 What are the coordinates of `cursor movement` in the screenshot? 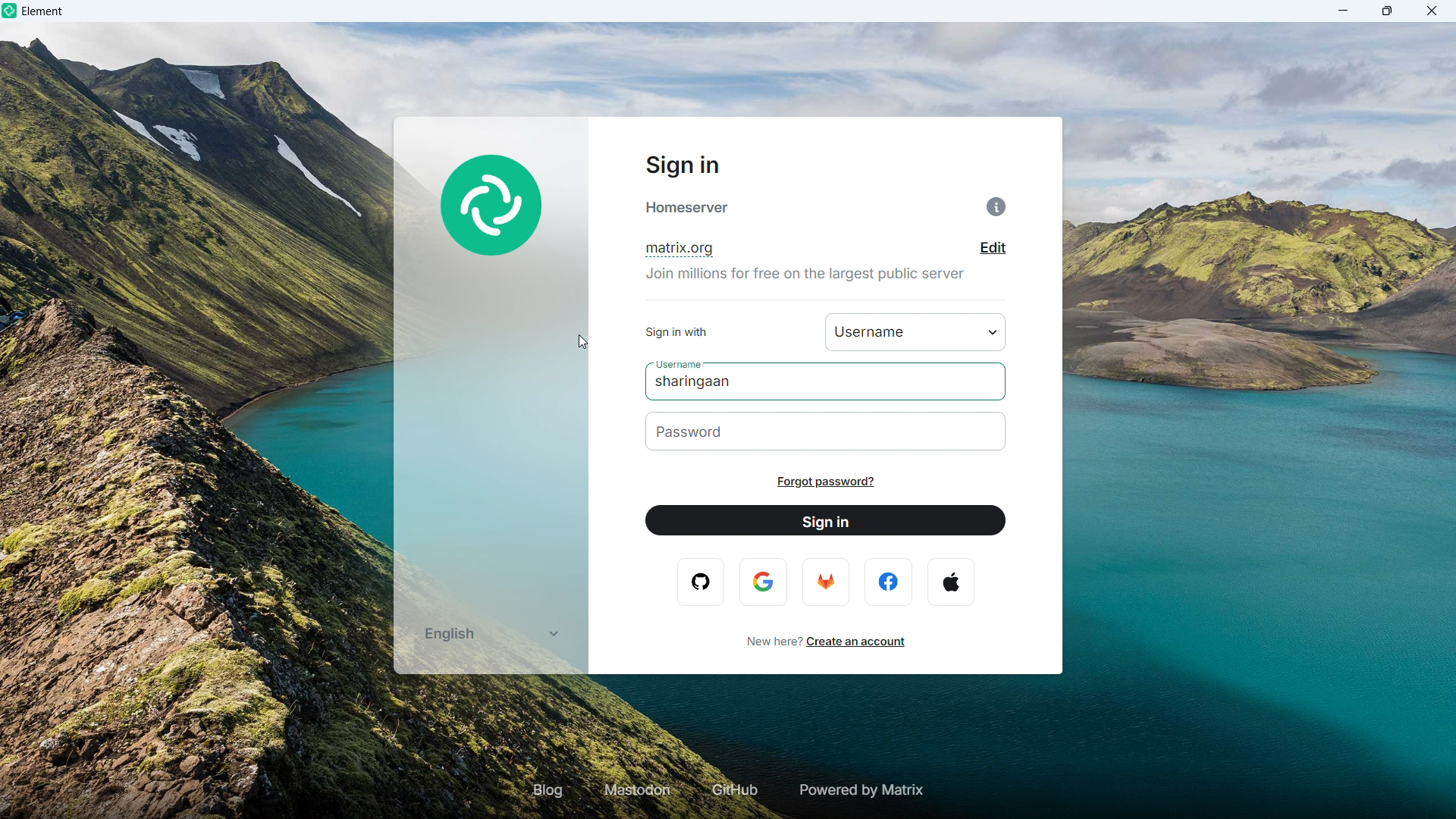 It's located at (585, 343).